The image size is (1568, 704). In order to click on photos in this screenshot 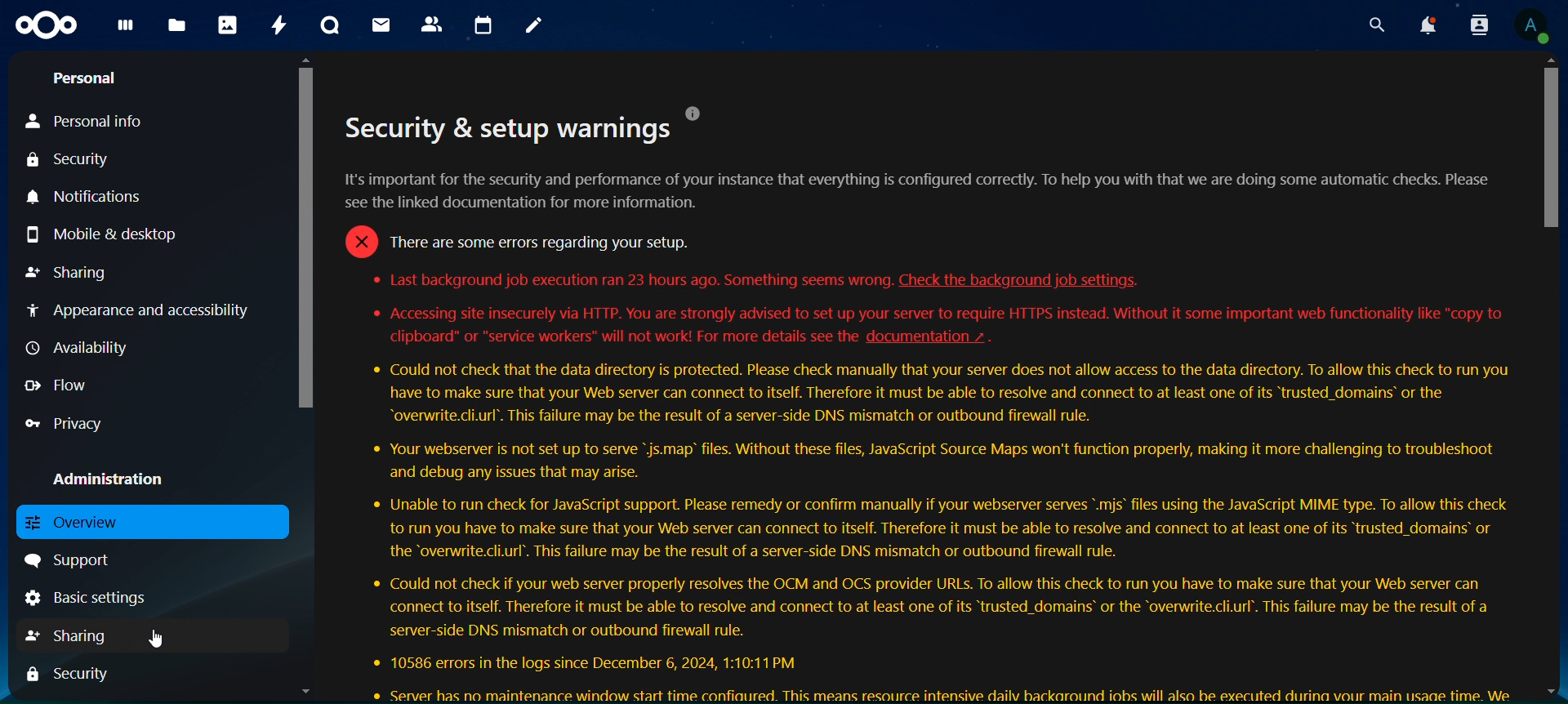, I will do `click(230, 25)`.